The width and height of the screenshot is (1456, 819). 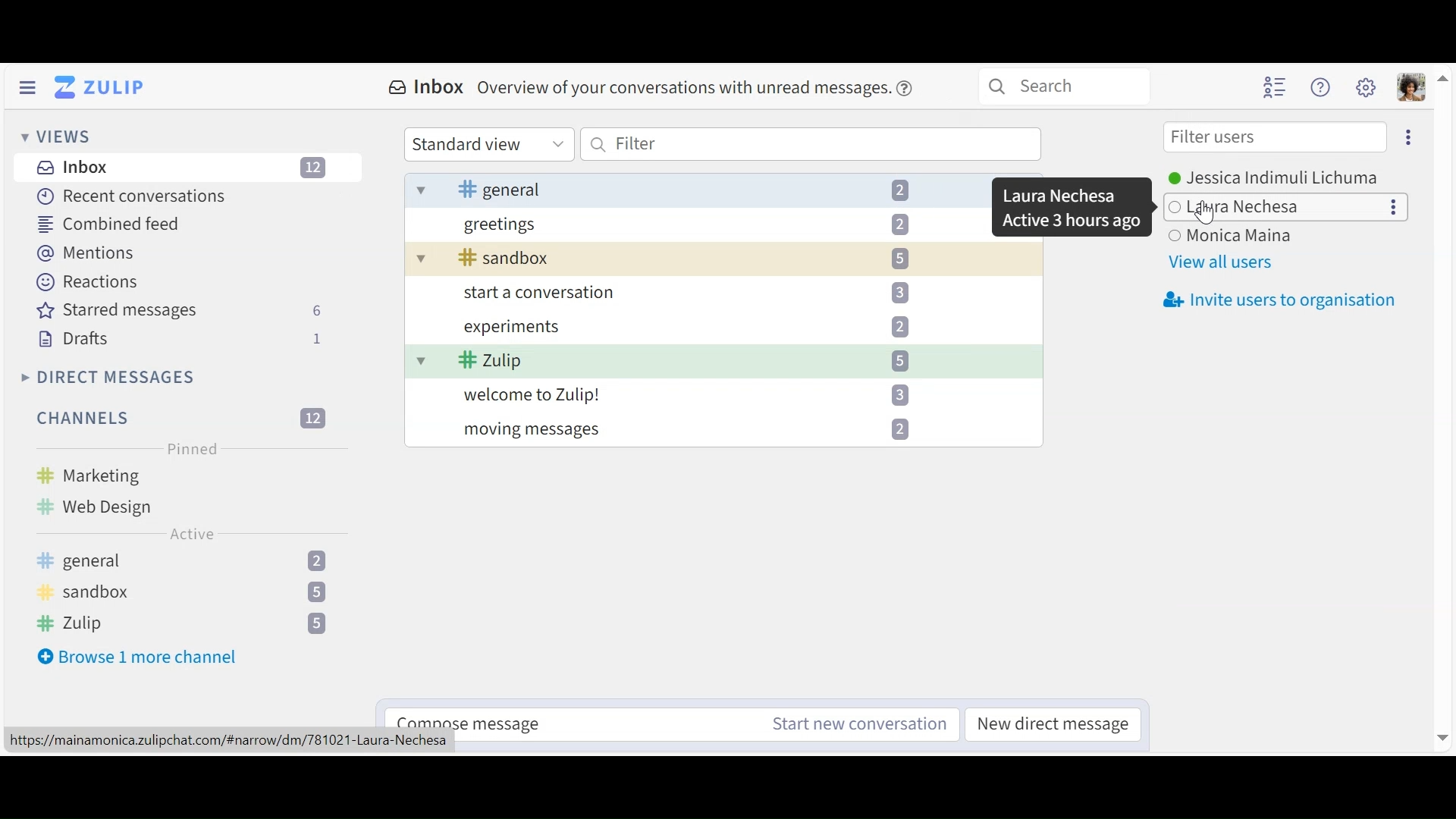 I want to click on Recent Messages, so click(x=128, y=198).